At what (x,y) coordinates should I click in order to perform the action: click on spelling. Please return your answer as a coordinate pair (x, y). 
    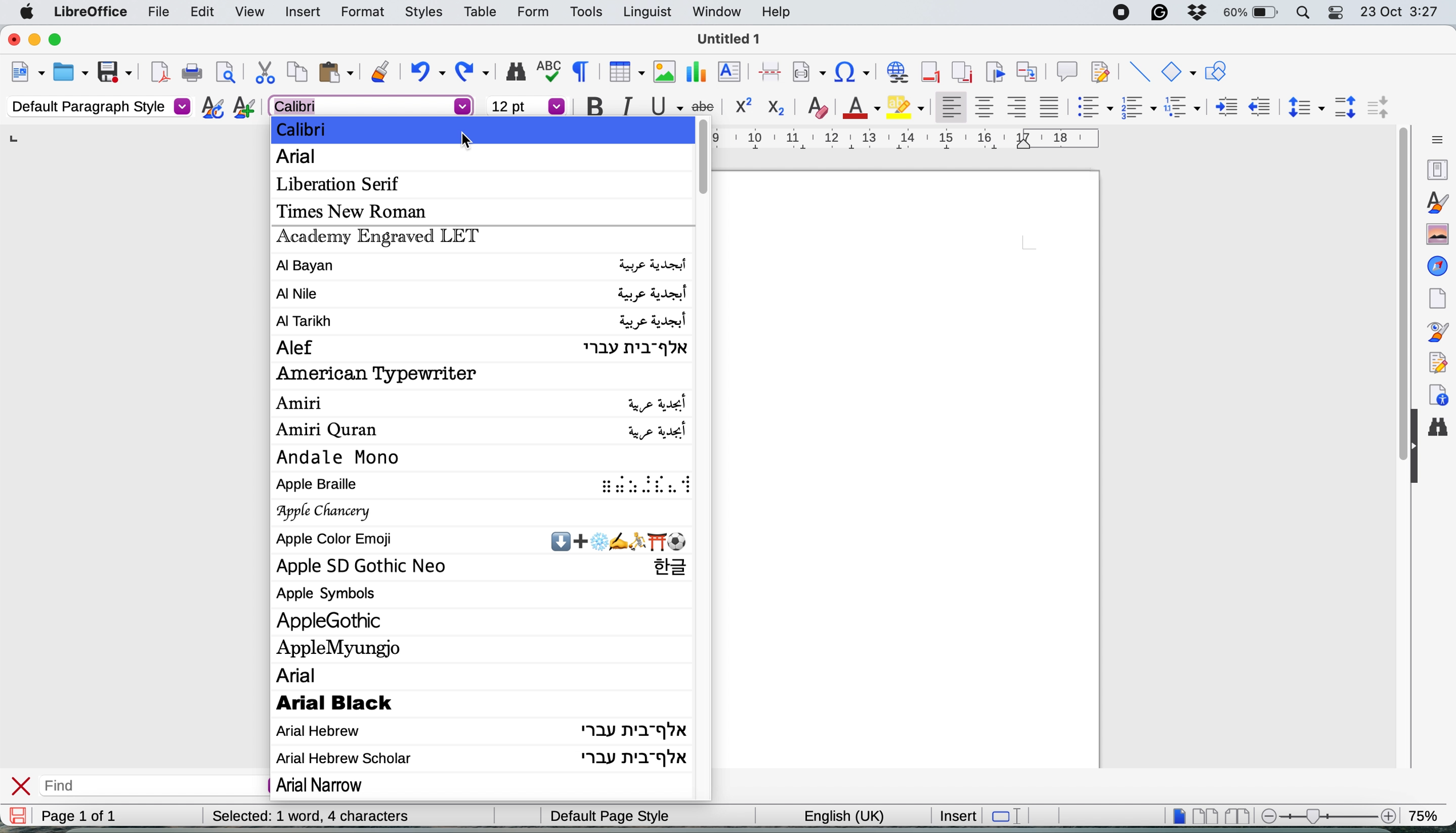
    Looking at the image, I should click on (547, 70).